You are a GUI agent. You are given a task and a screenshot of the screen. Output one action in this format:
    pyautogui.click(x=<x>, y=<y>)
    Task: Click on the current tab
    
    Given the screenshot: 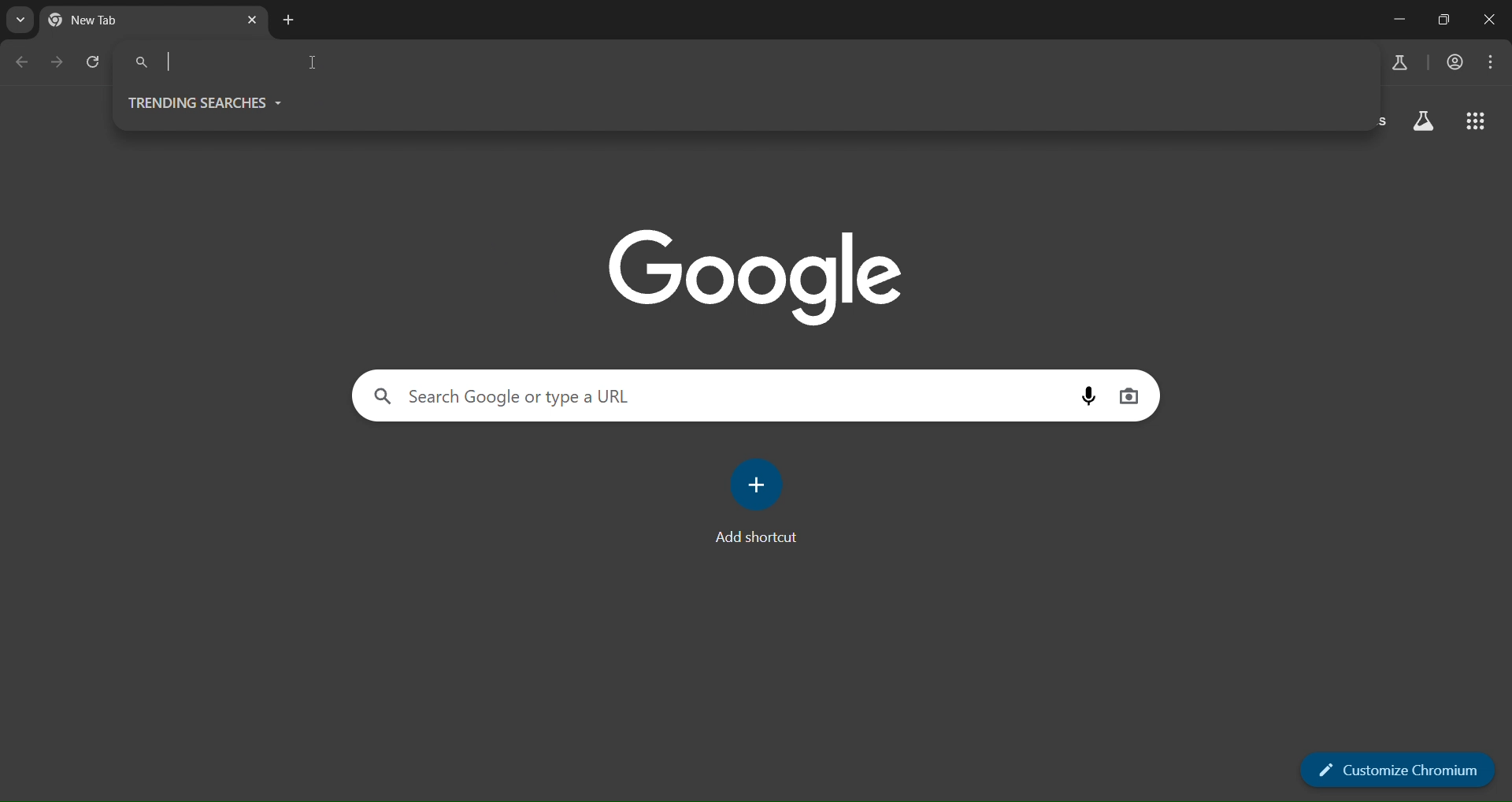 What is the action you would take?
    pyautogui.click(x=130, y=22)
    